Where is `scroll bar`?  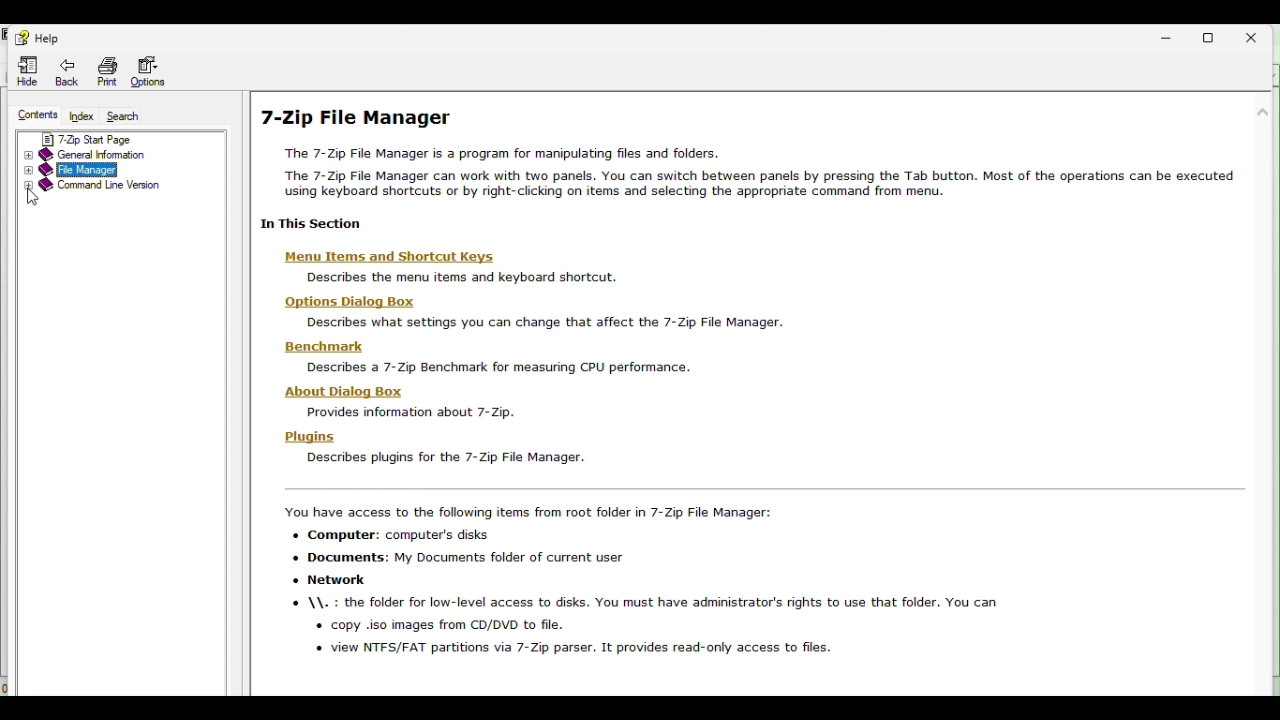 scroll bar is located at coordinates (1267, 321).